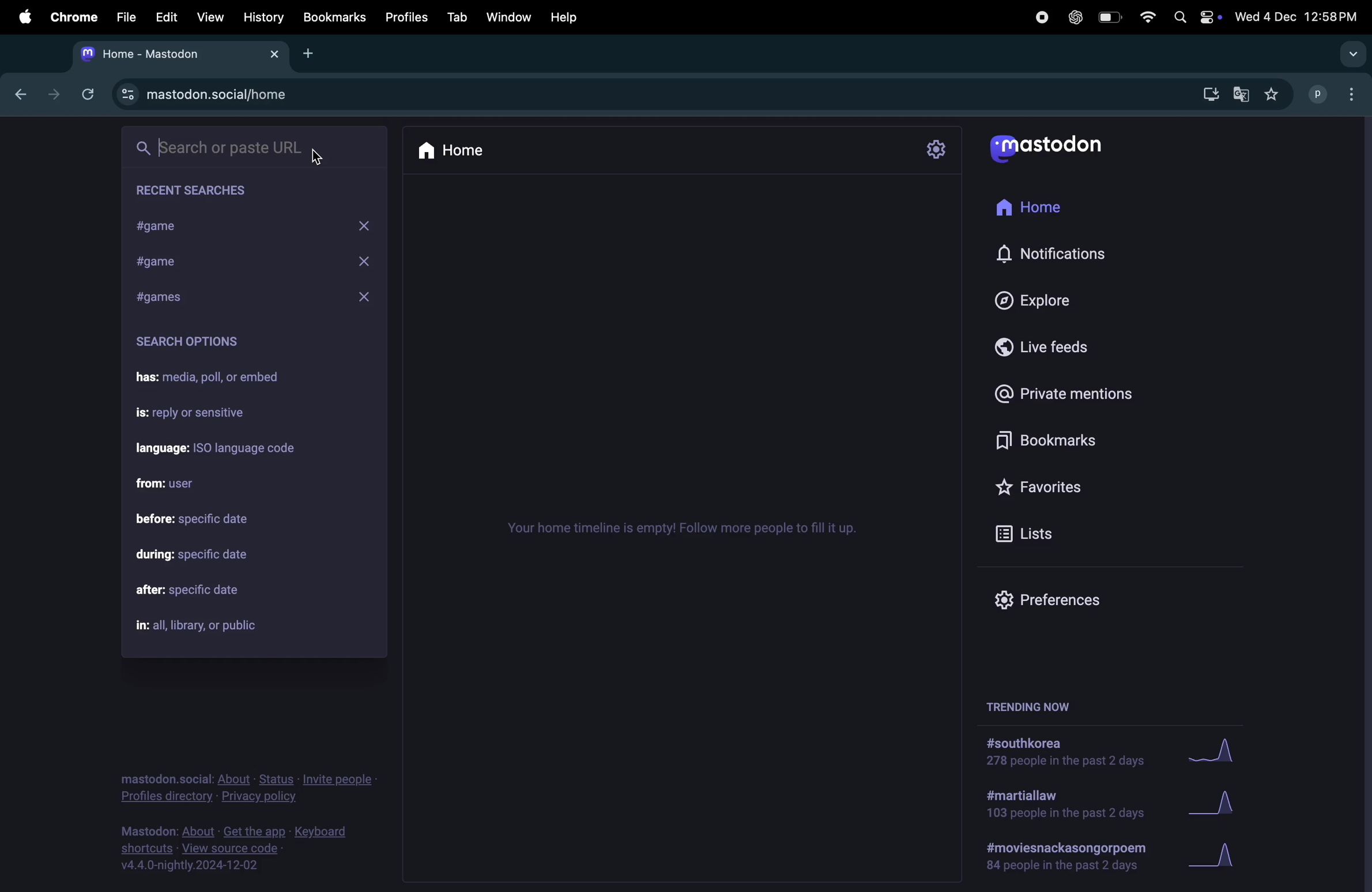 This screenshot has height=892, width=1372. I want to click on prefrences, so click(1049, 600).